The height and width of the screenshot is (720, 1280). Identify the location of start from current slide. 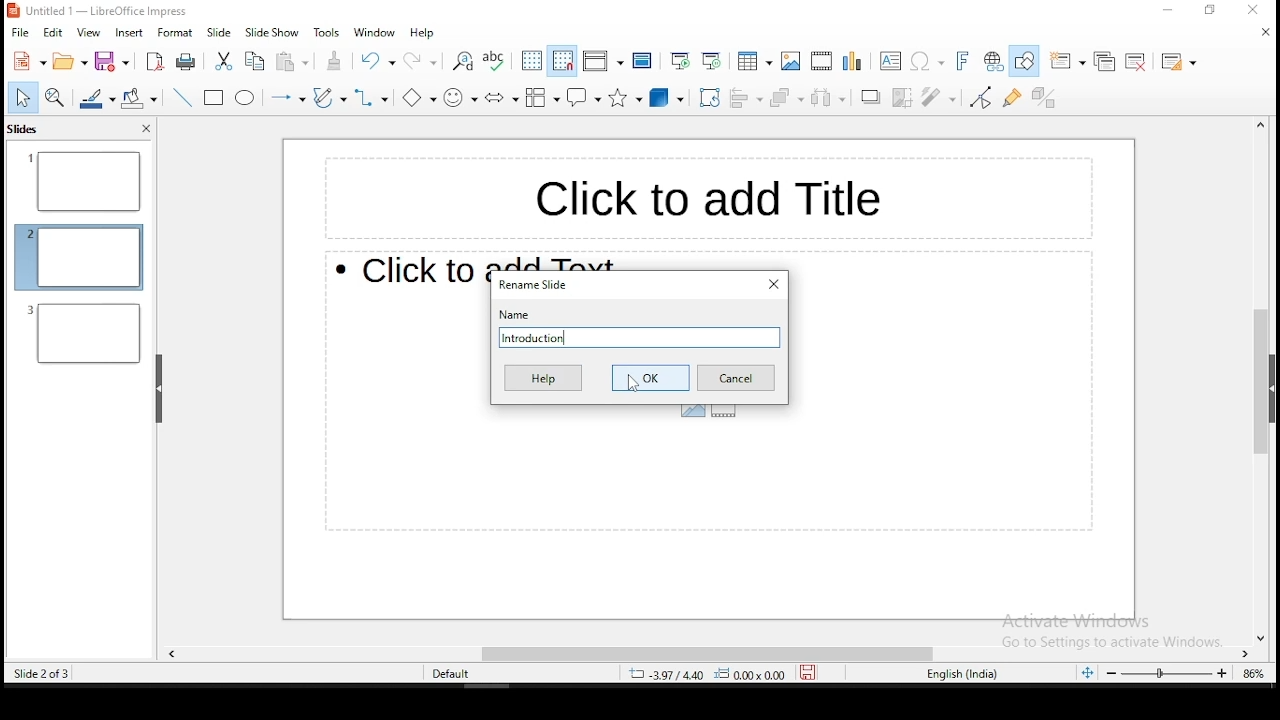
(713, 62).